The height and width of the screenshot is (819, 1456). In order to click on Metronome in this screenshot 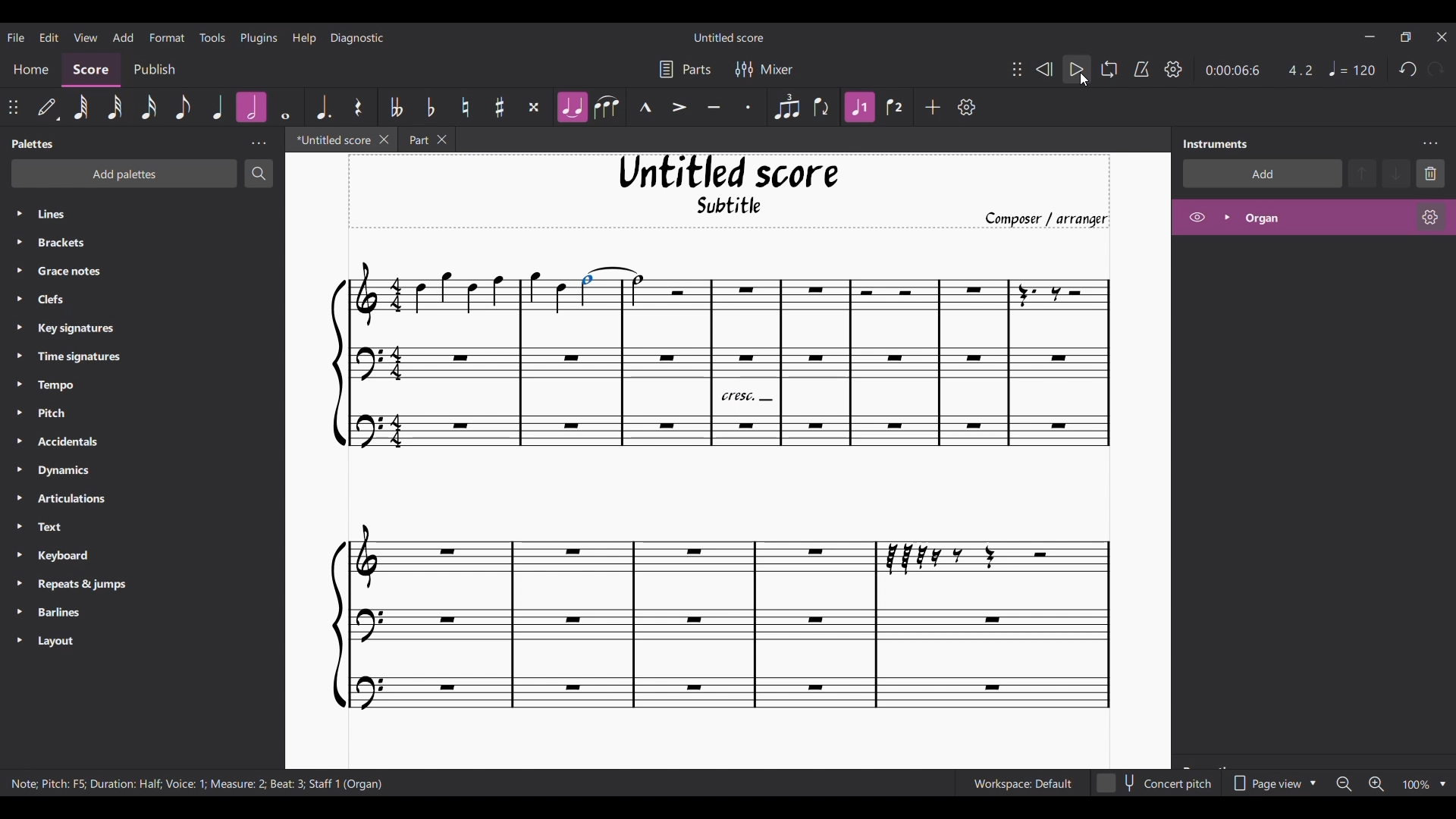, I will do `click(1141, 69)`.